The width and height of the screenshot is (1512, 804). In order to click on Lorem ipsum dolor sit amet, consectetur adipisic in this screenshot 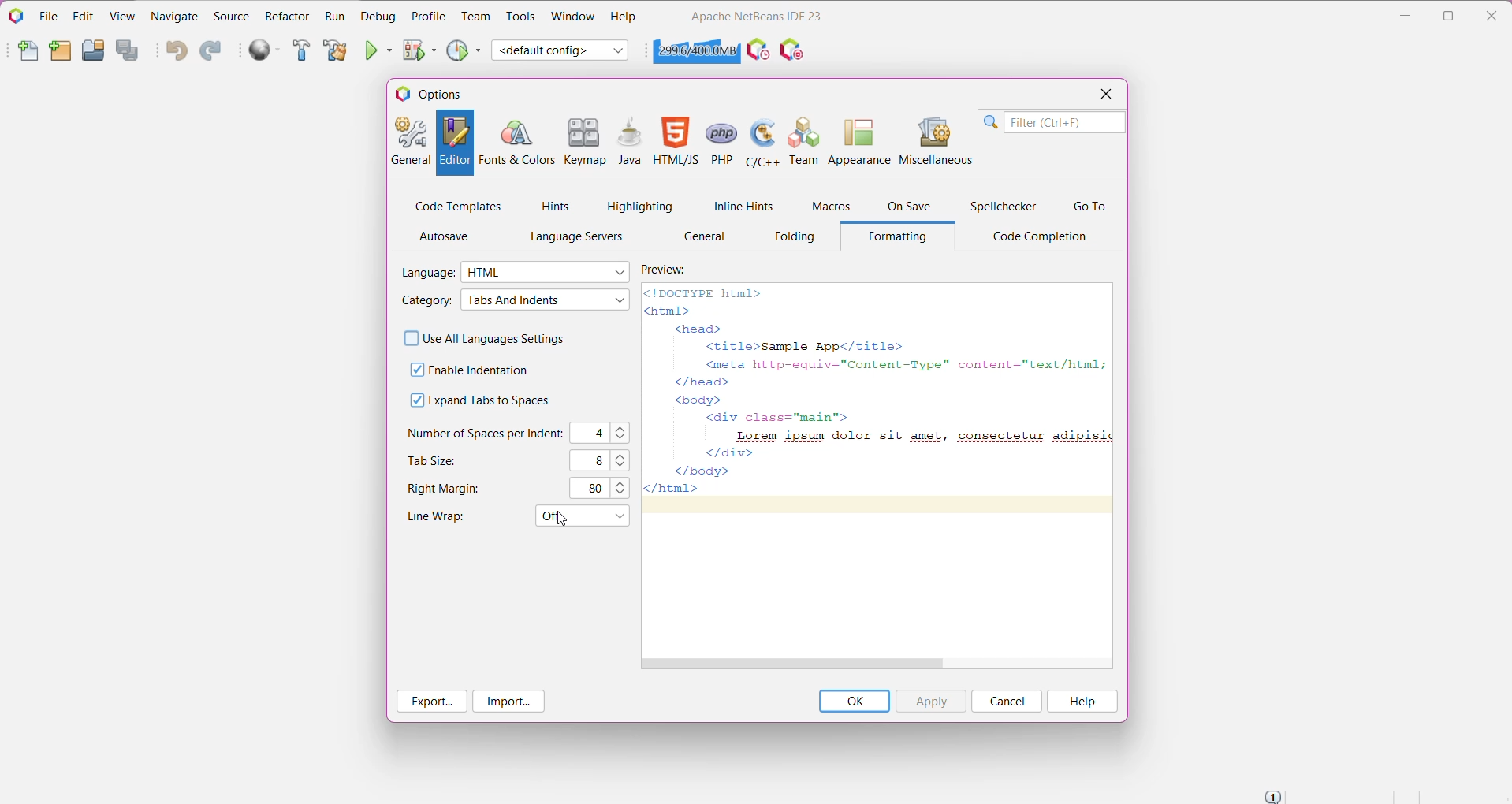, I will do `click(918, 435)`.